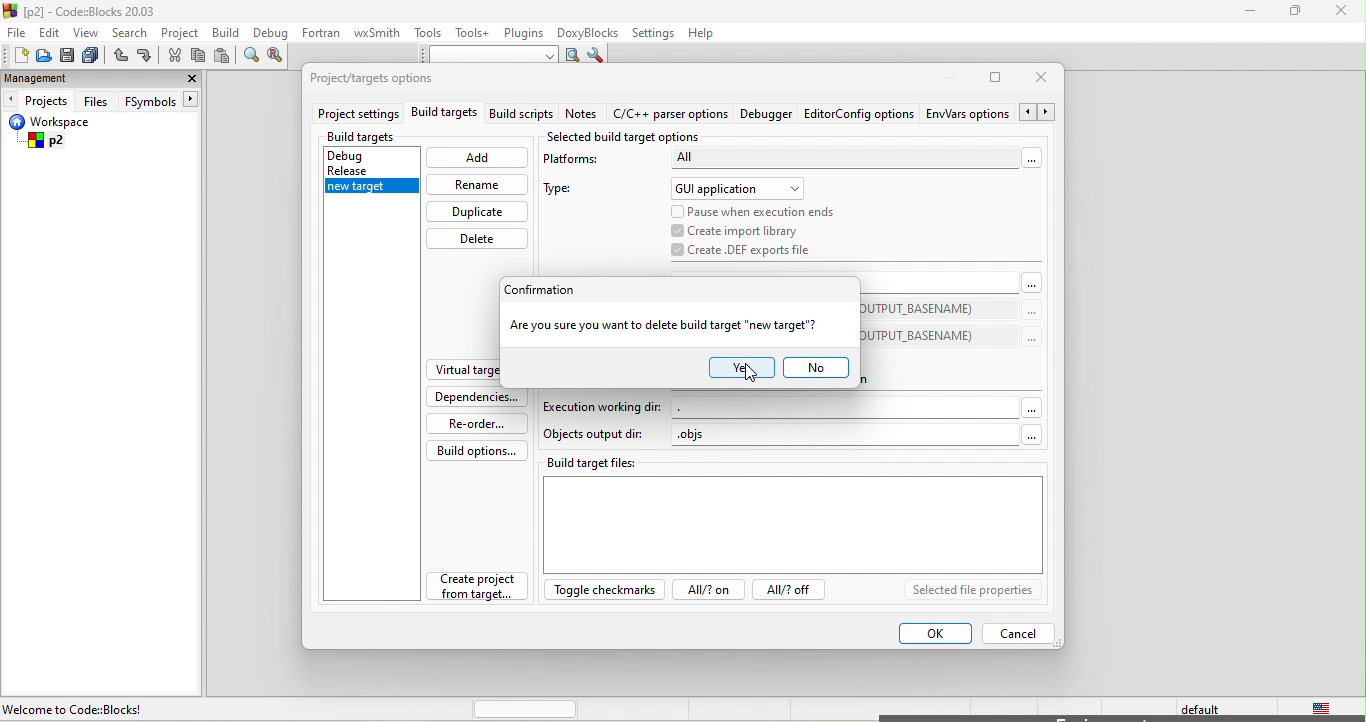 The height and width of the screenshot is (722, 1366). What do you see at coordinates (793, 407) in the screenshot?
I see `execution working dir` at bounding box center [793, 407].